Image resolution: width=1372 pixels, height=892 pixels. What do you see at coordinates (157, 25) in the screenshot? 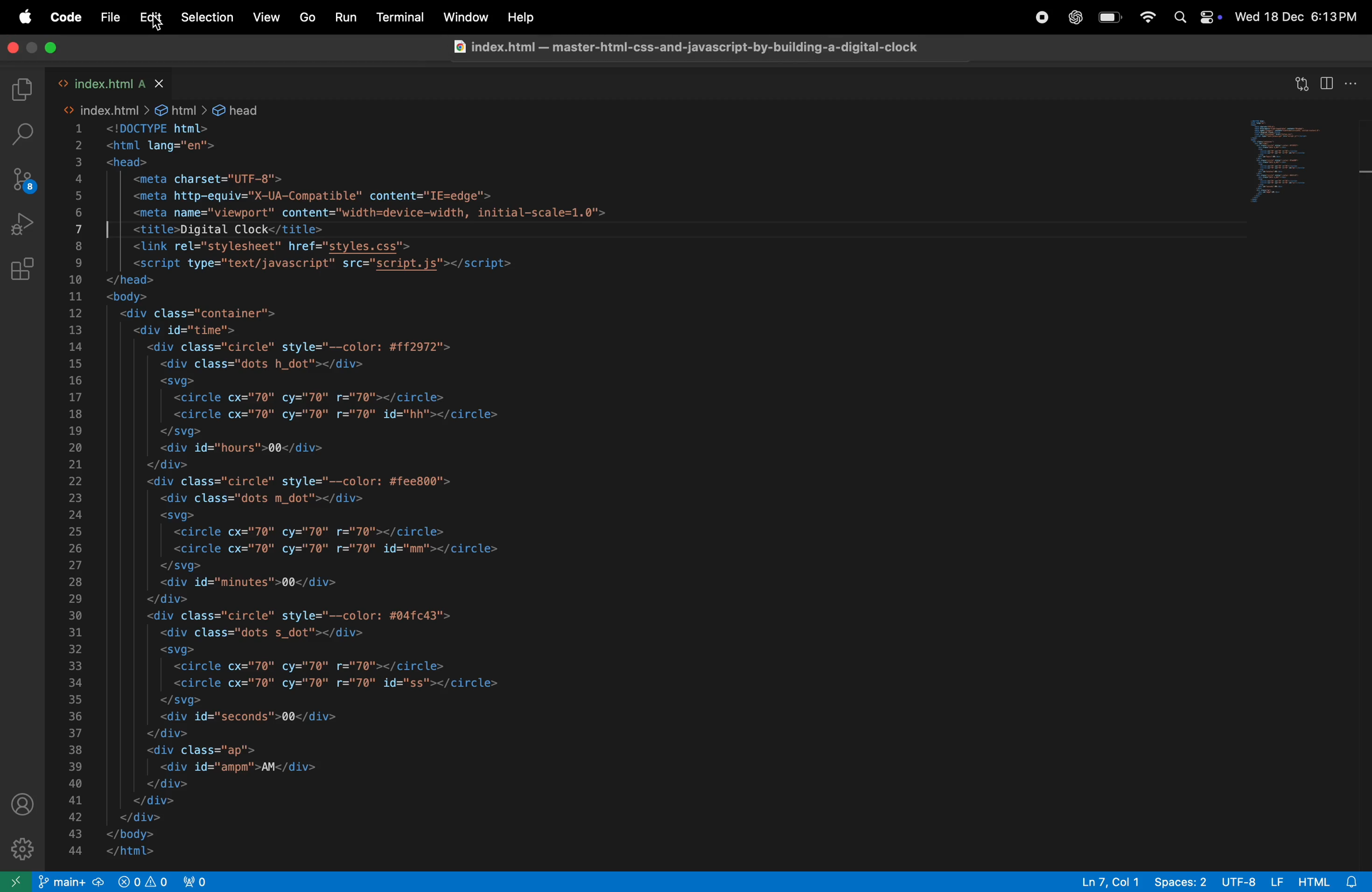
I see `cursor` at bounding box center [157, 25].